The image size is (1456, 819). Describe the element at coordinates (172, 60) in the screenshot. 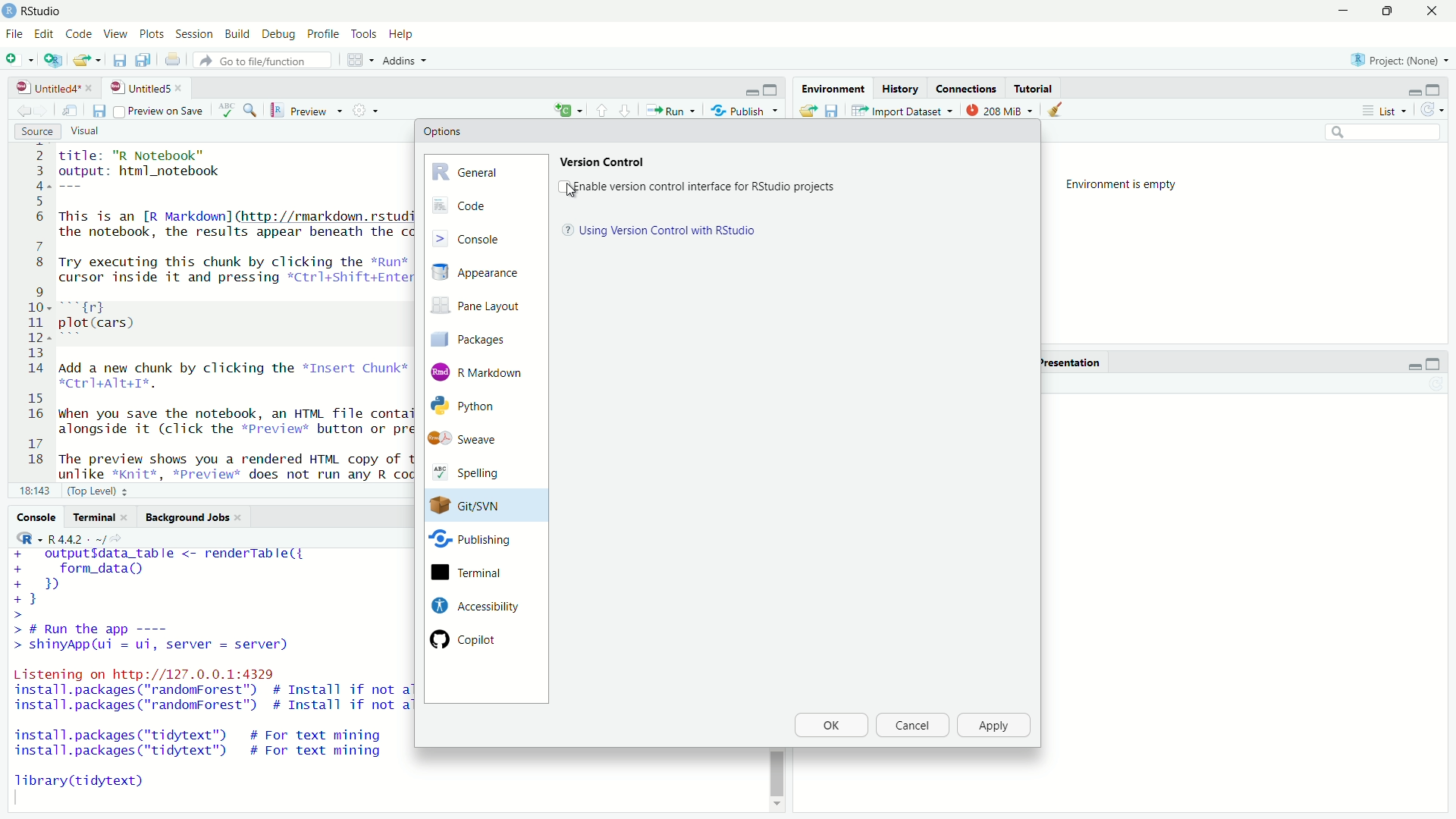

I see `print the current file` at that location.